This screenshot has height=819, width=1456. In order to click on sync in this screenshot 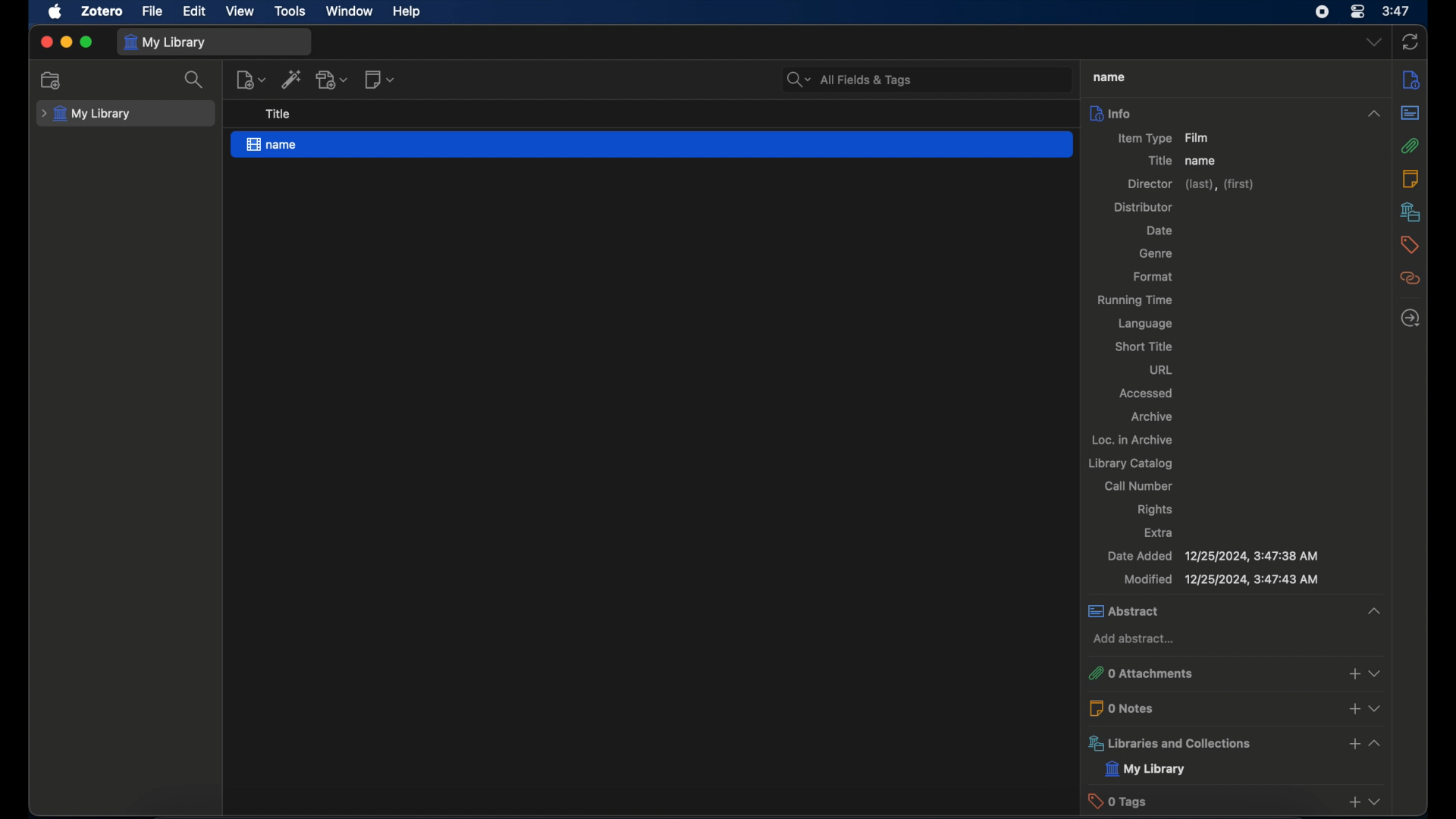, I will do `click(1411, 42)`.